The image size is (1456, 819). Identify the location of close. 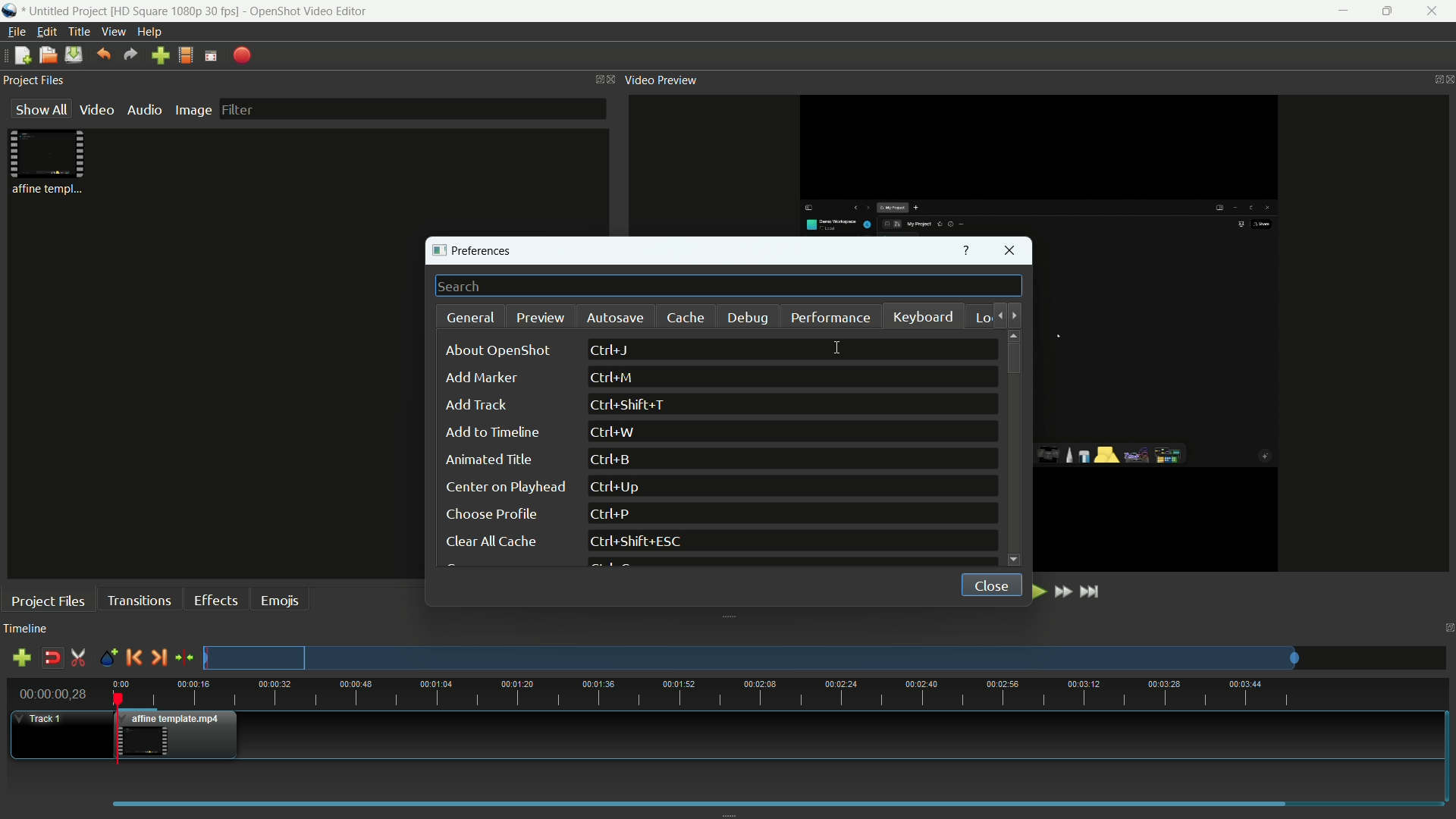
(987, 583).